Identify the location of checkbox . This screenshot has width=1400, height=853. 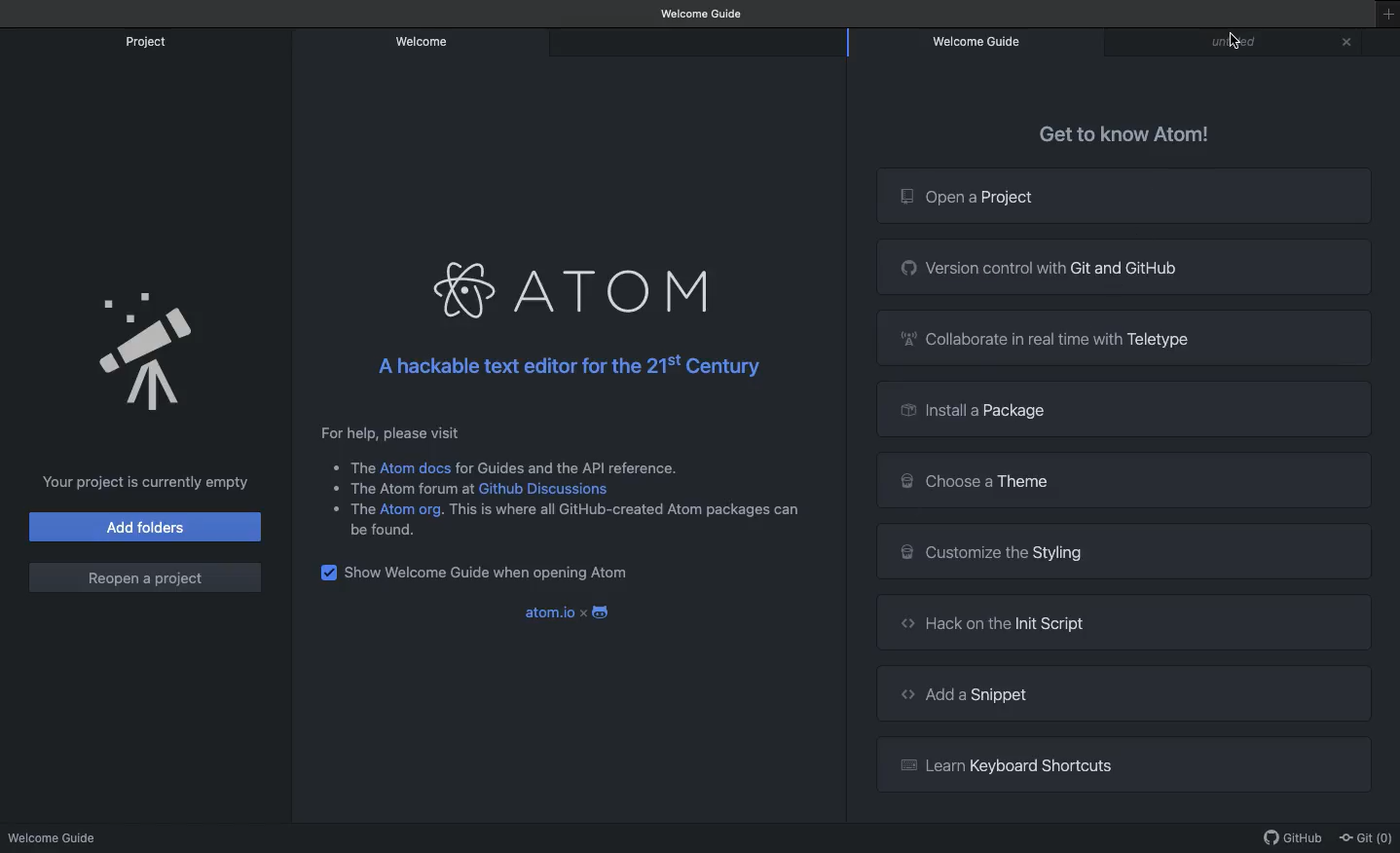
(327, 577).